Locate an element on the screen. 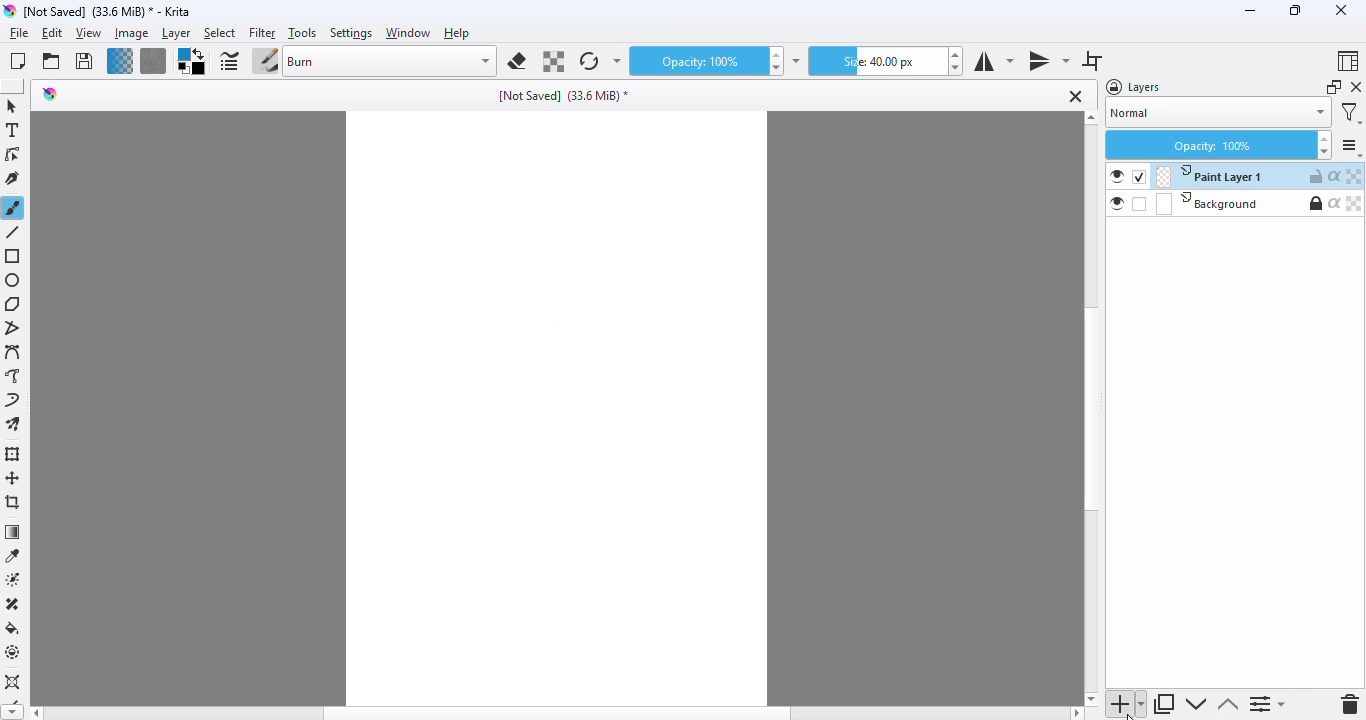  freehand brush tool is located at coordinates (13, 207).